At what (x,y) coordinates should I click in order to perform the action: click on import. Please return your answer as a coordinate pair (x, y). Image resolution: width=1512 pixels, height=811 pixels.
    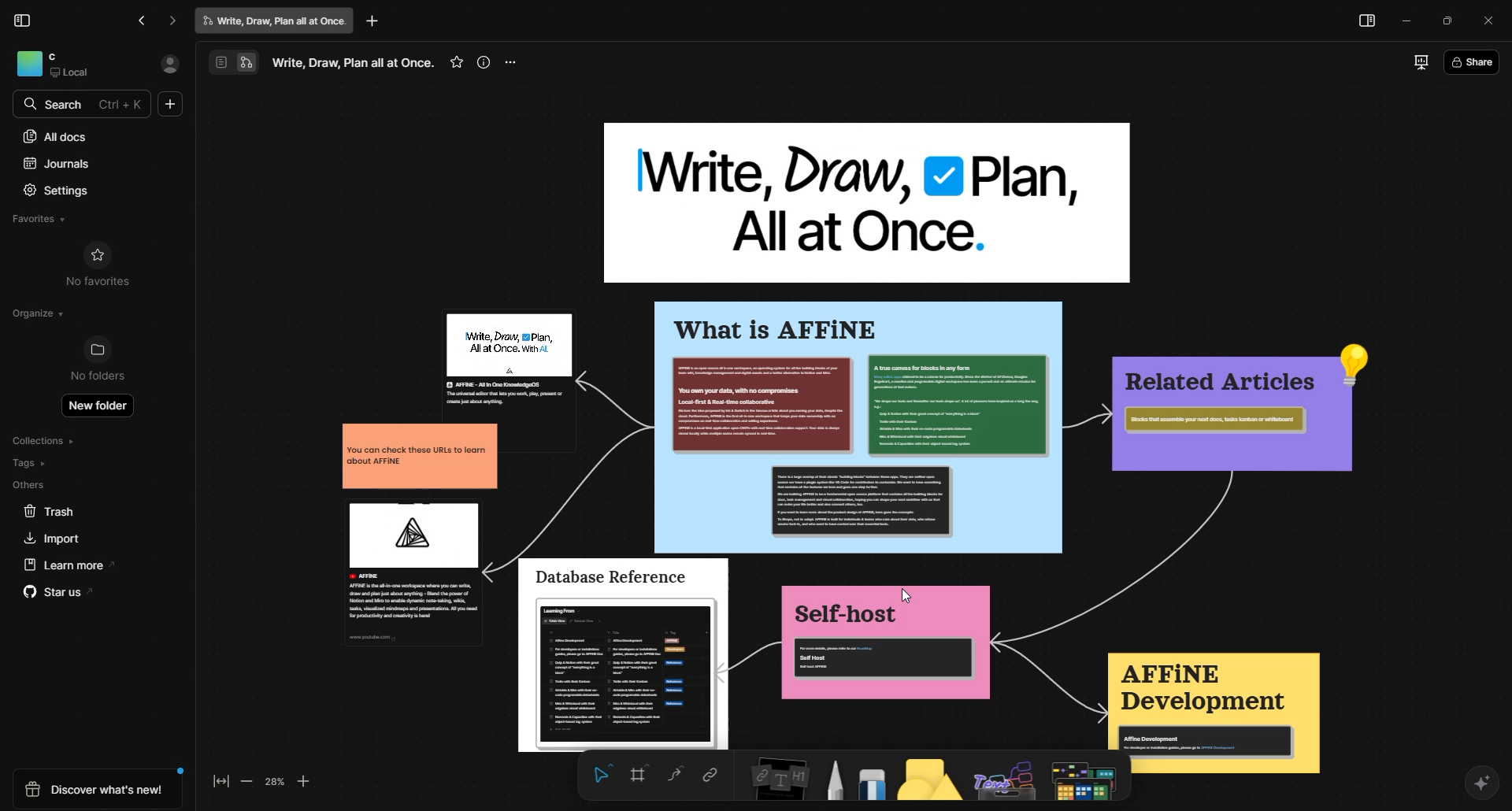
    Looking at the image, I should click on (48, 538).